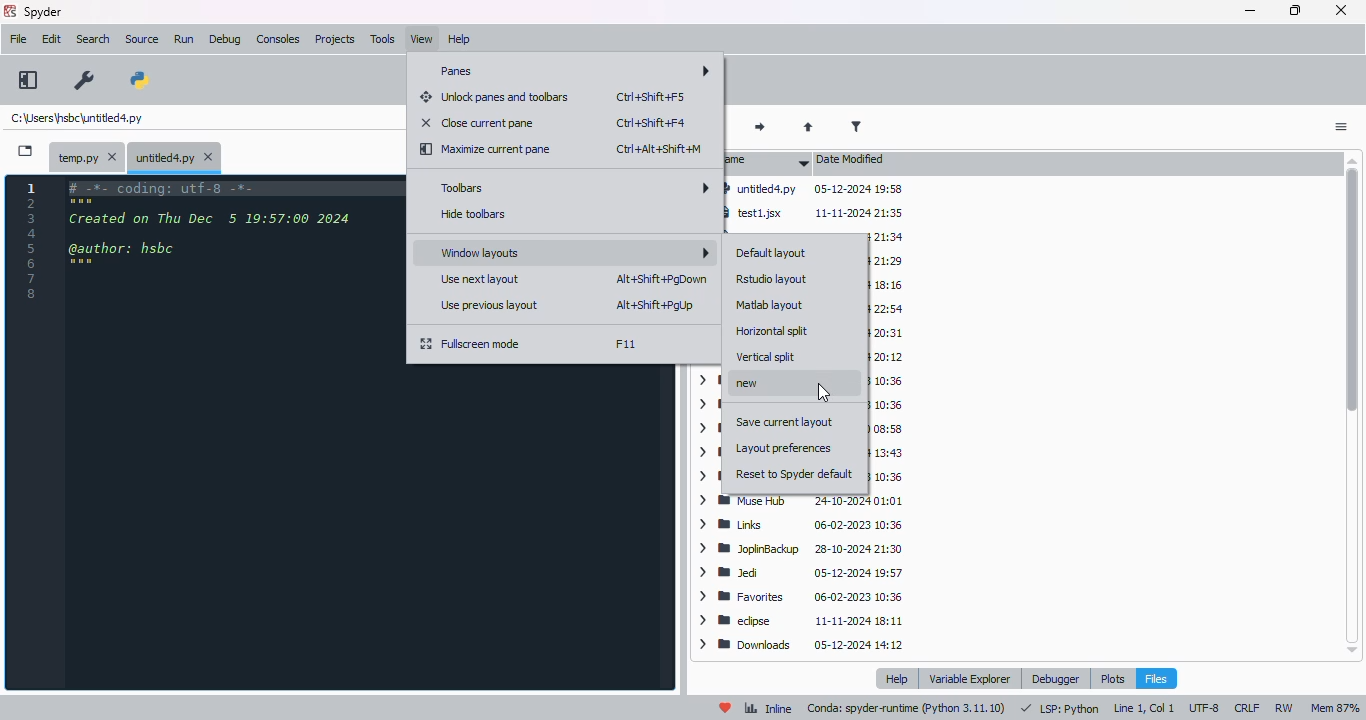 The width and height of the screenshot is (1366, 720). What do you see at coordinates (658, 149) in the screenshot?
I see `shortcut for maximize current pane` at bounding box center [658, 149].